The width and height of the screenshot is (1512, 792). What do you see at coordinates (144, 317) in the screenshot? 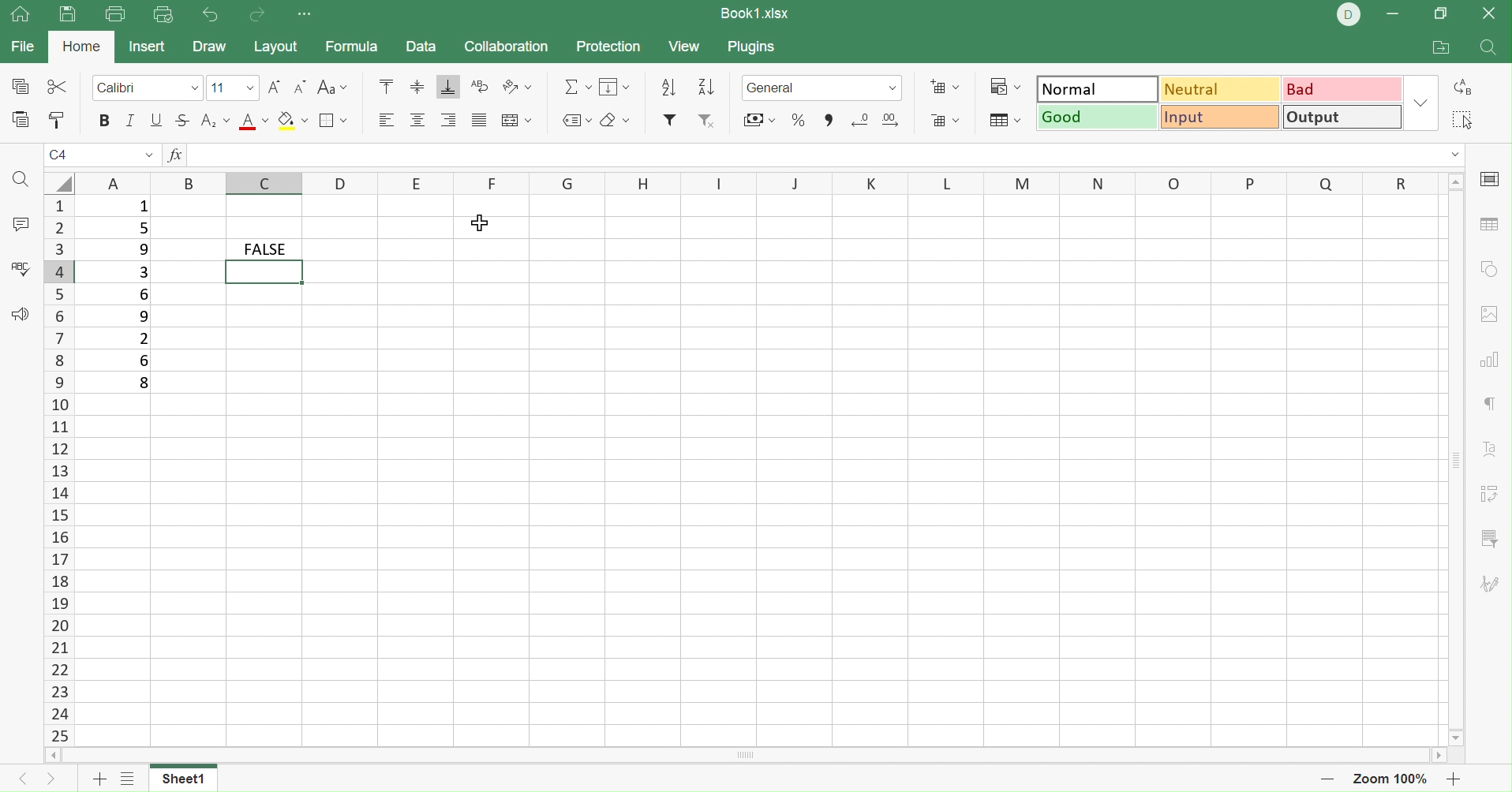
I see `9` at bounding box center [144, 317].